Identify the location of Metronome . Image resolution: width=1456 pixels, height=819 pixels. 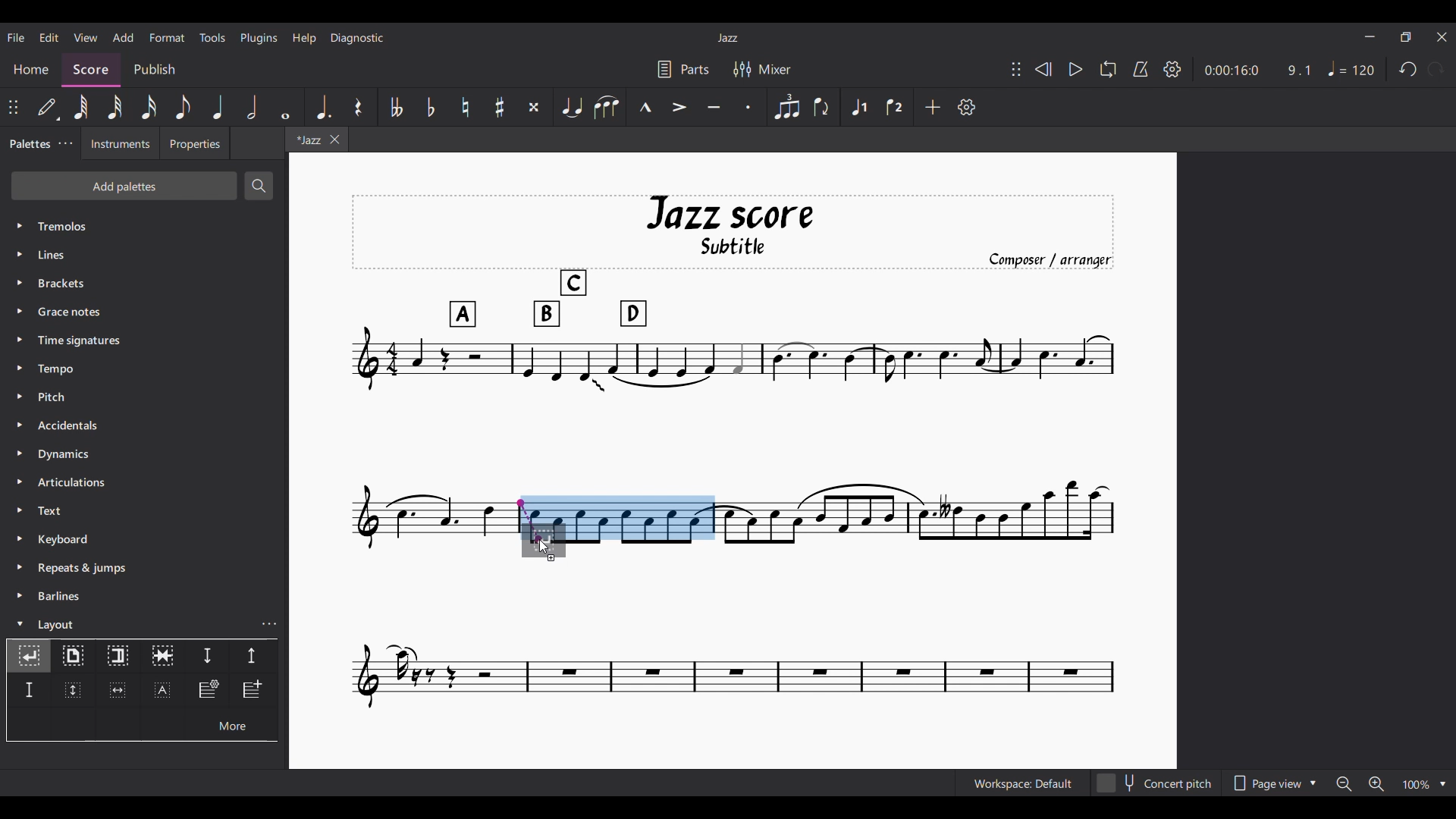
(1141, 69).